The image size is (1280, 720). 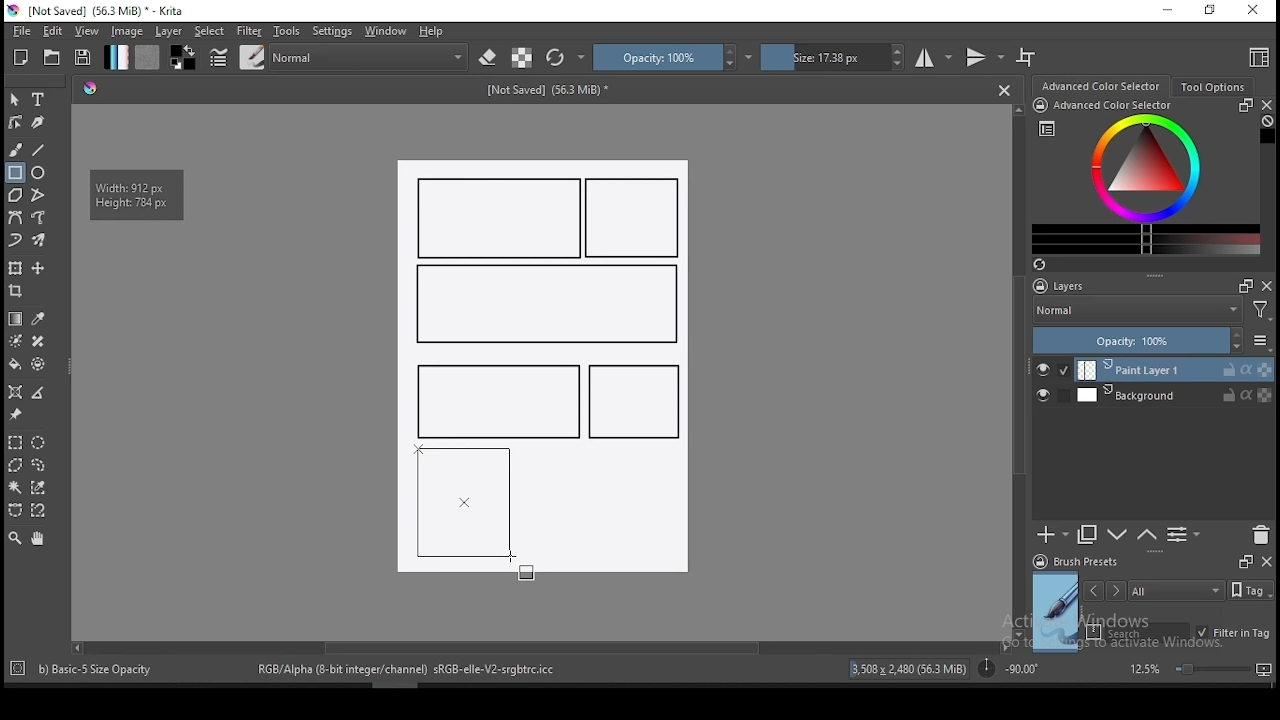 What do you see at coordinates (17, 341) in the screenshot?
I see `colorize mask tool` at bounding box center [17, 341].